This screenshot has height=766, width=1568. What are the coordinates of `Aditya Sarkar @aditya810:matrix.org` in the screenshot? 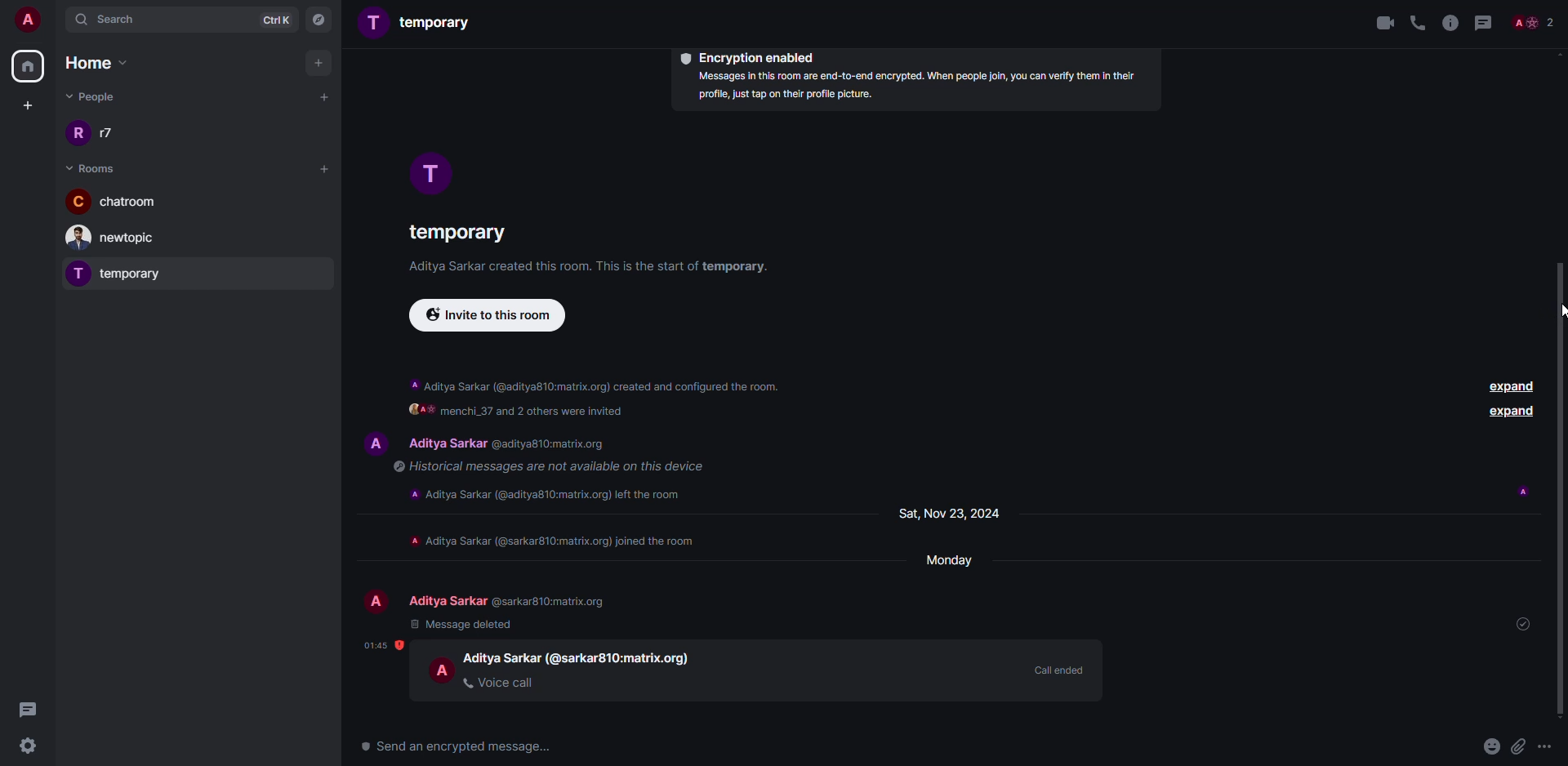 It's located at (523, 444).